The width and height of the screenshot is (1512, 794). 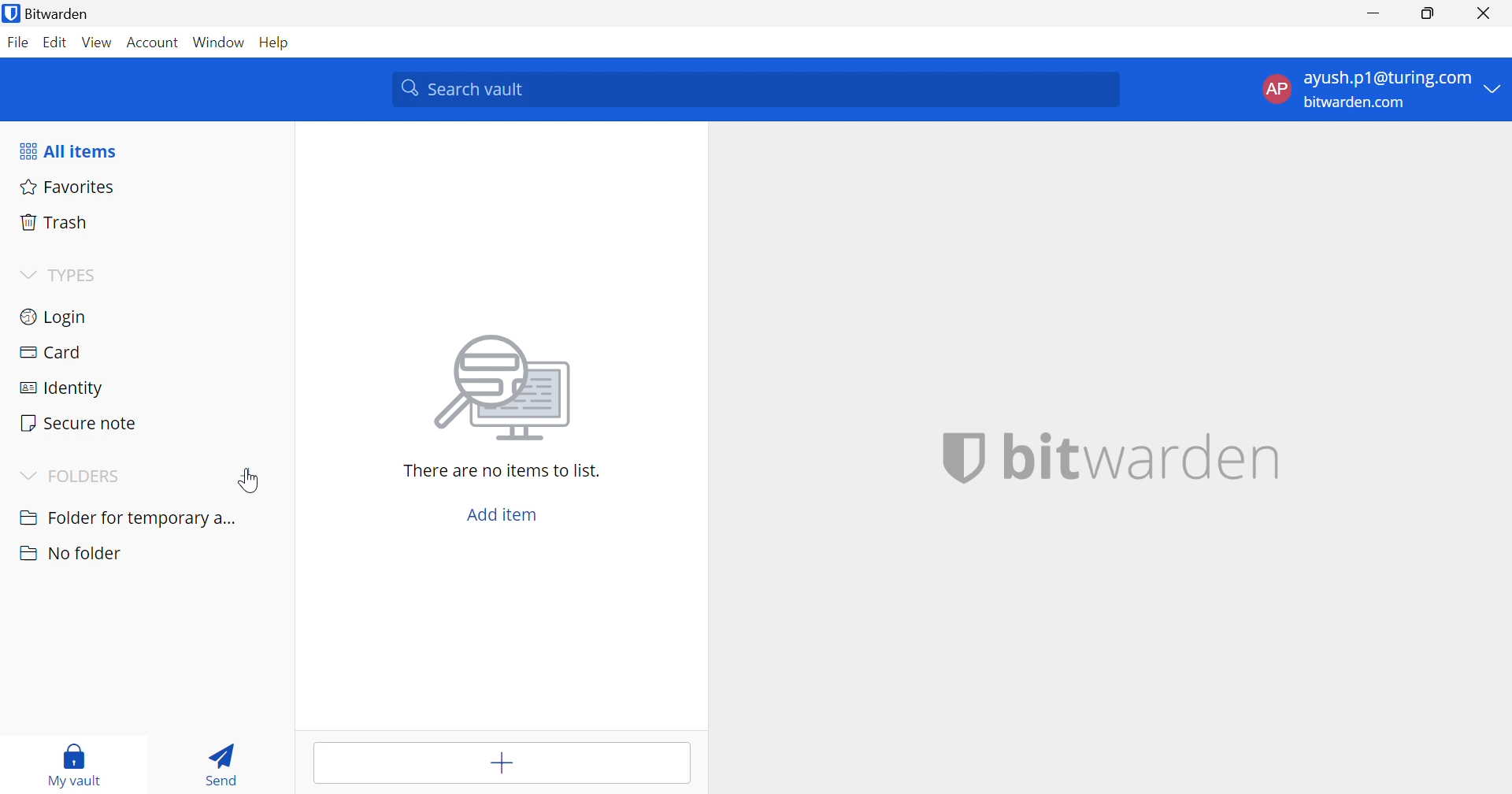 What do you see at coordinates (1144, 458) in the screenshot?
I see `bitwarden` at bounding box center [1144, 458].